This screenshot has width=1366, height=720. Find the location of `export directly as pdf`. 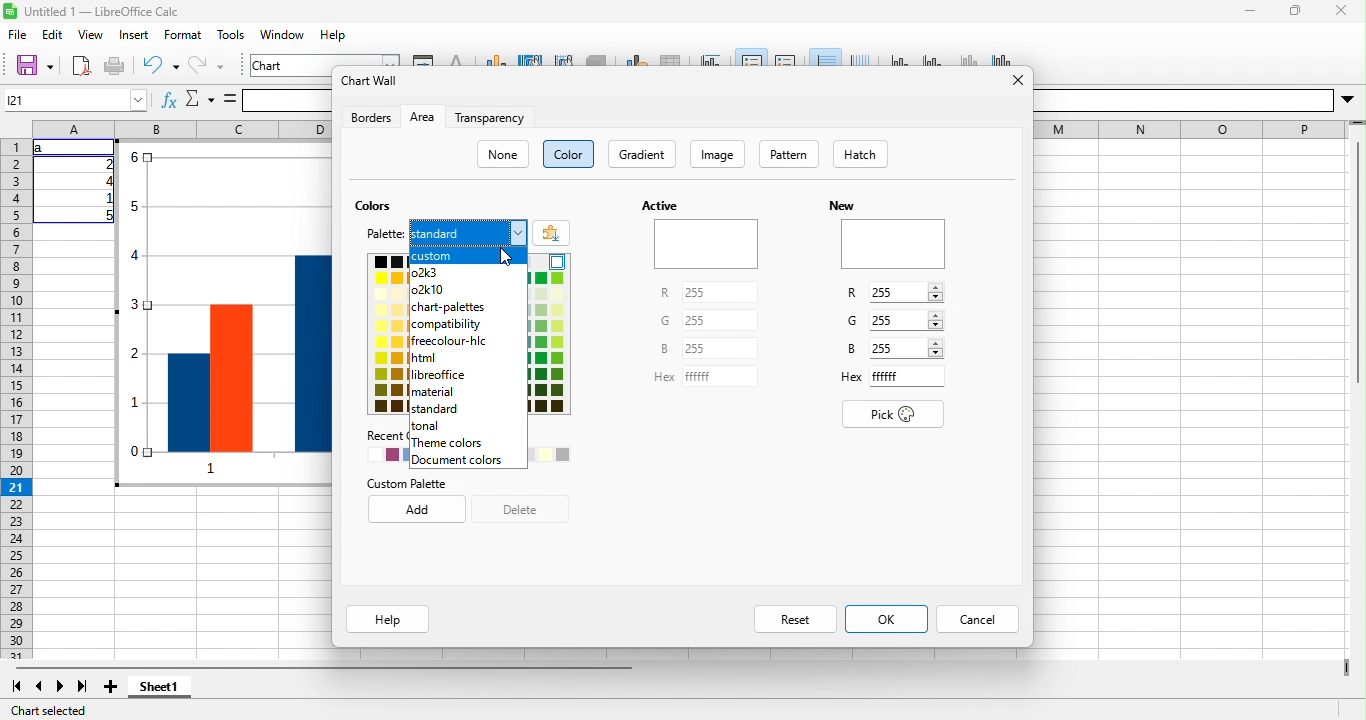

export directly as pdf is located at coordinates (81, 66).